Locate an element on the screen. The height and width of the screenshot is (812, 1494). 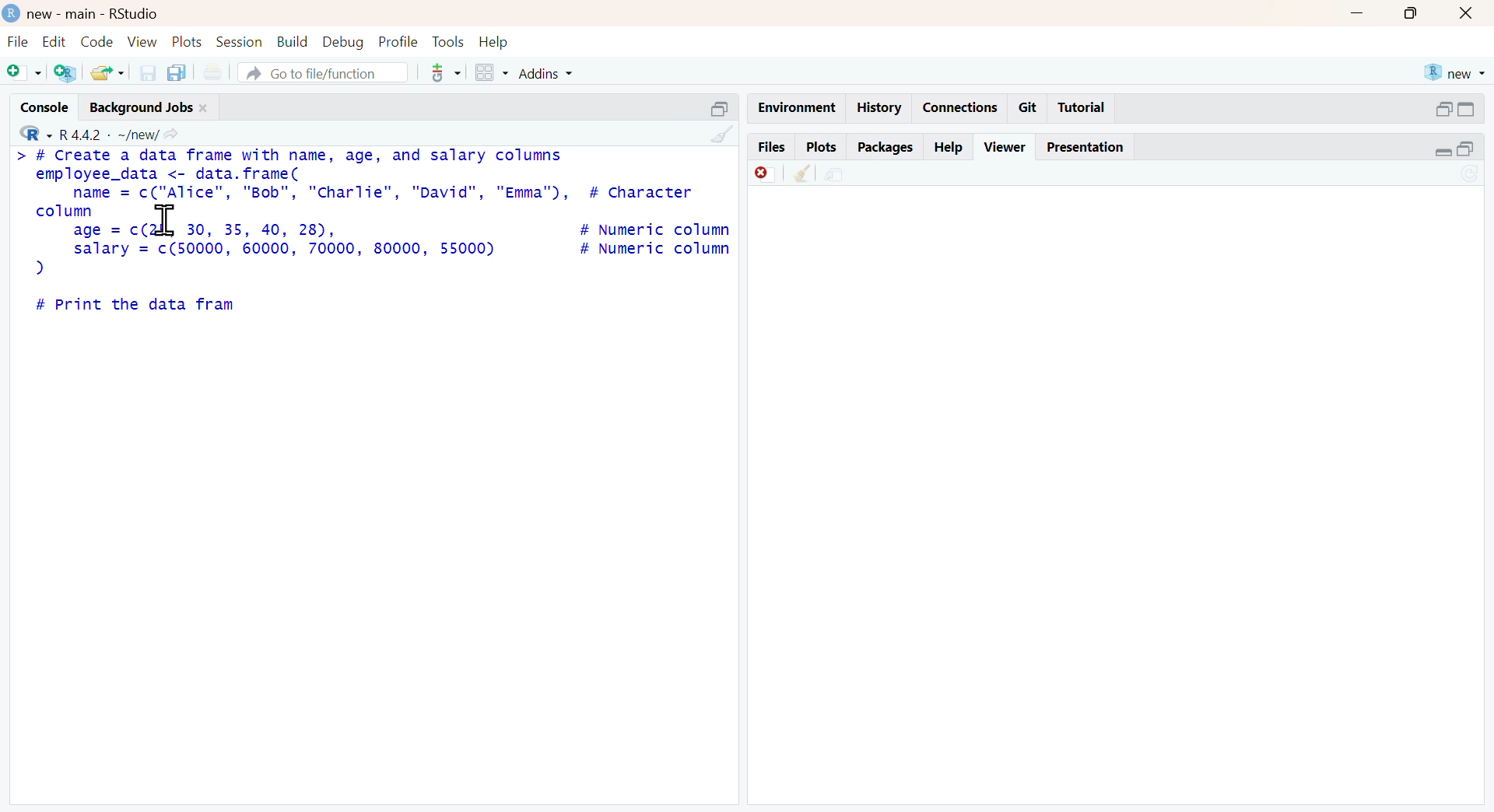
New file is located at coordinates (23, 75).